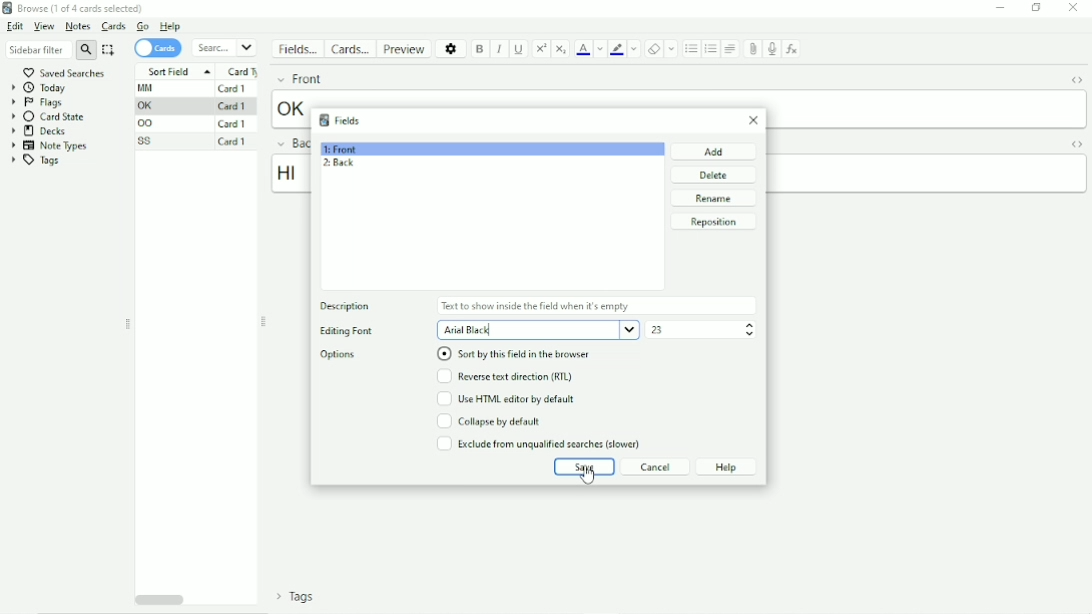 This screenshot has height=614, width=1092. Describe the element at coordinates (1074, 144) in the screenshot. I see `Toggle HTML Editor` at that location.